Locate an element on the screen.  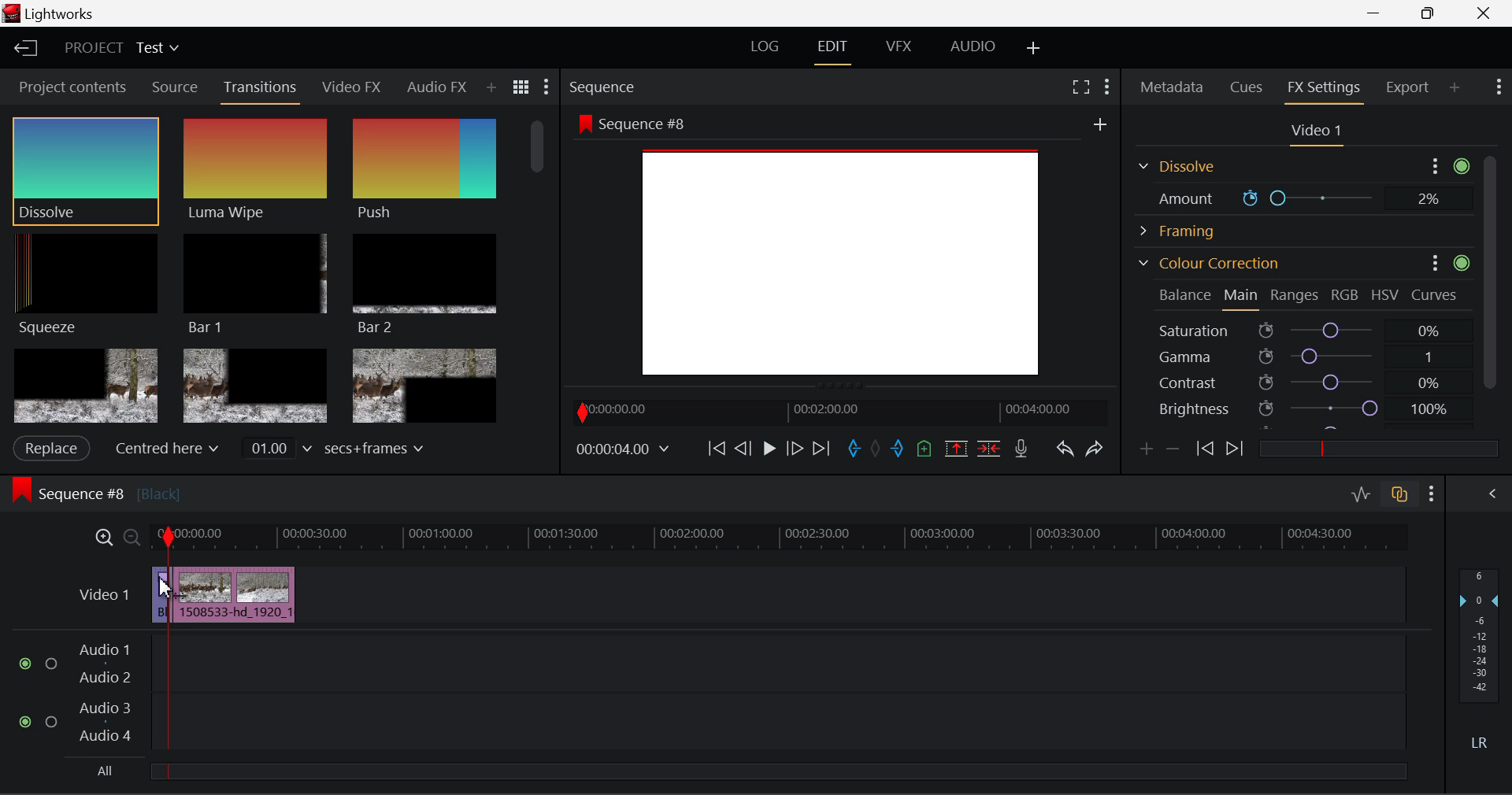
Play is located at coordinates (767, 449).